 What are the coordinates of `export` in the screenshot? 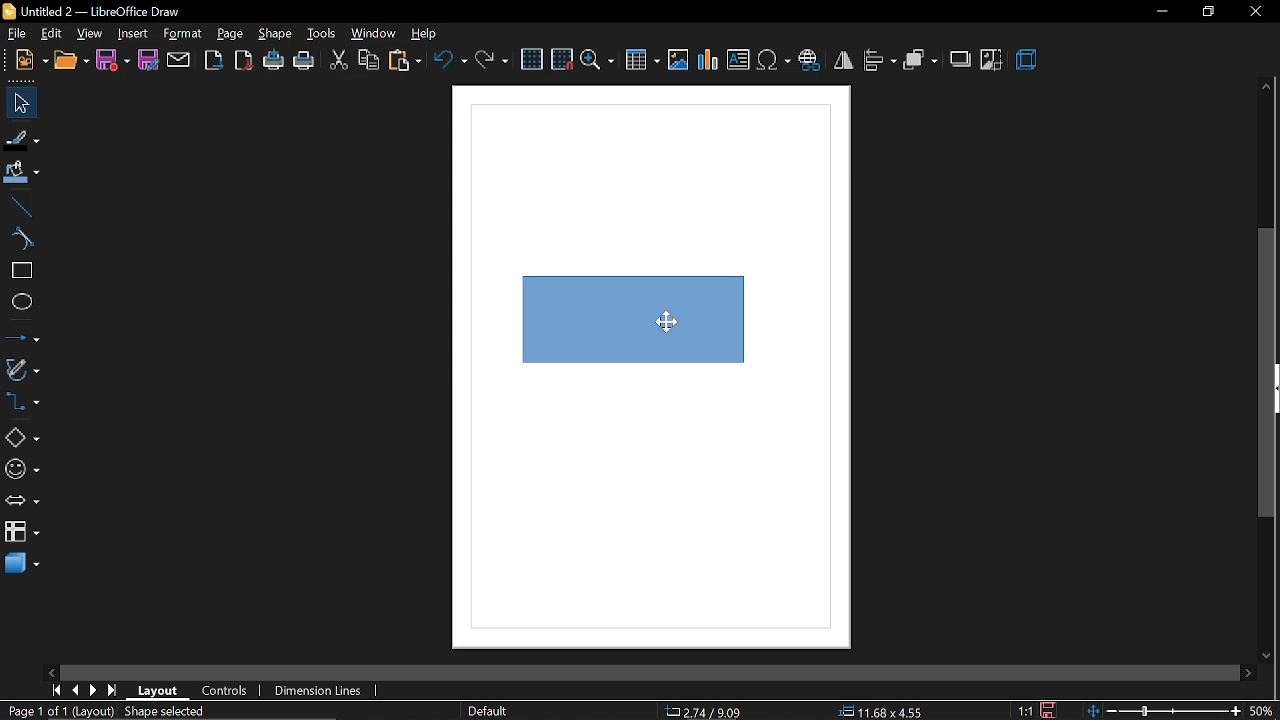 It's located at (214, 60).